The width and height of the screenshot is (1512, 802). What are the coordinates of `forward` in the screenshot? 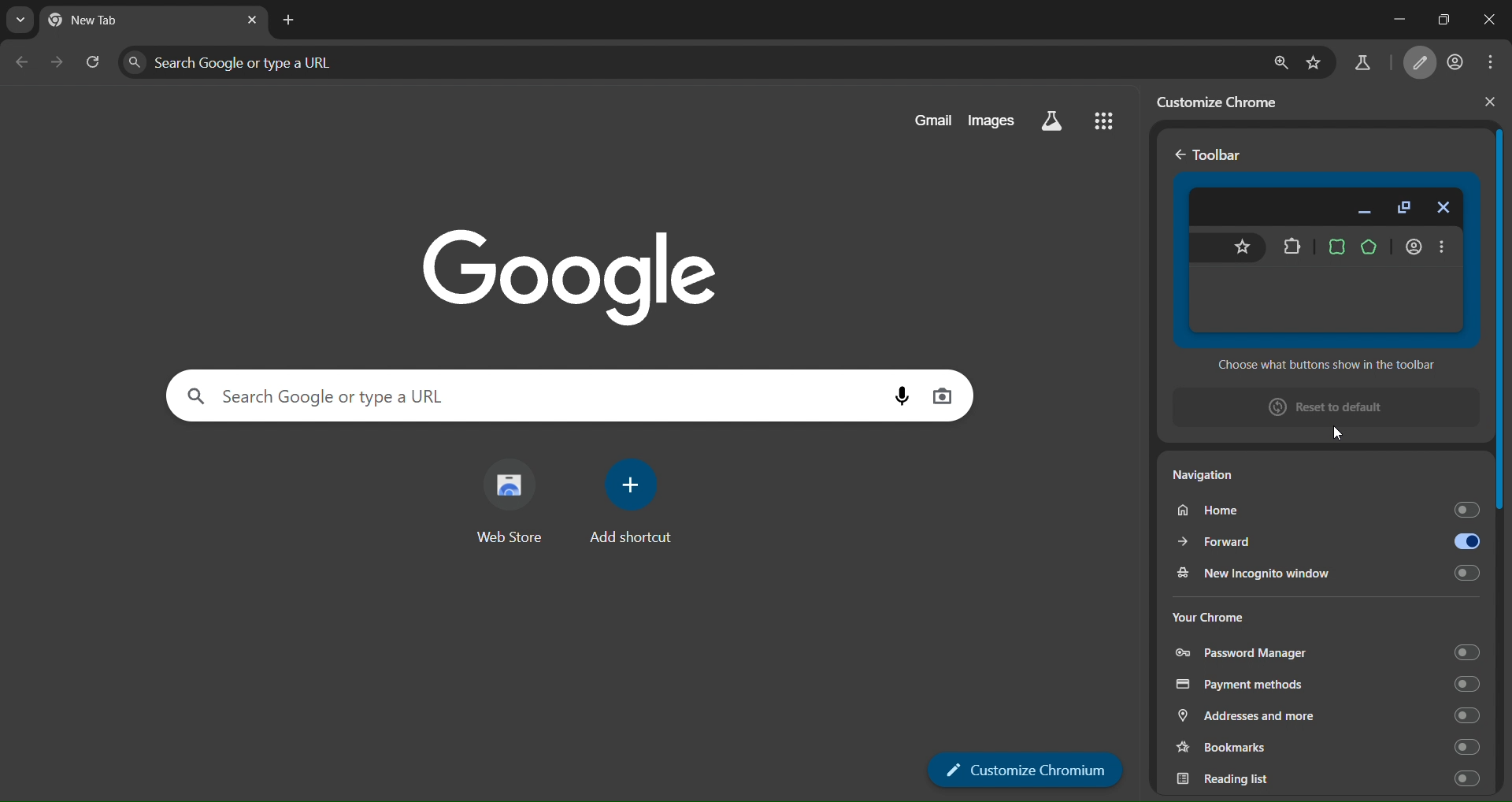 It's located at (1323, 540).